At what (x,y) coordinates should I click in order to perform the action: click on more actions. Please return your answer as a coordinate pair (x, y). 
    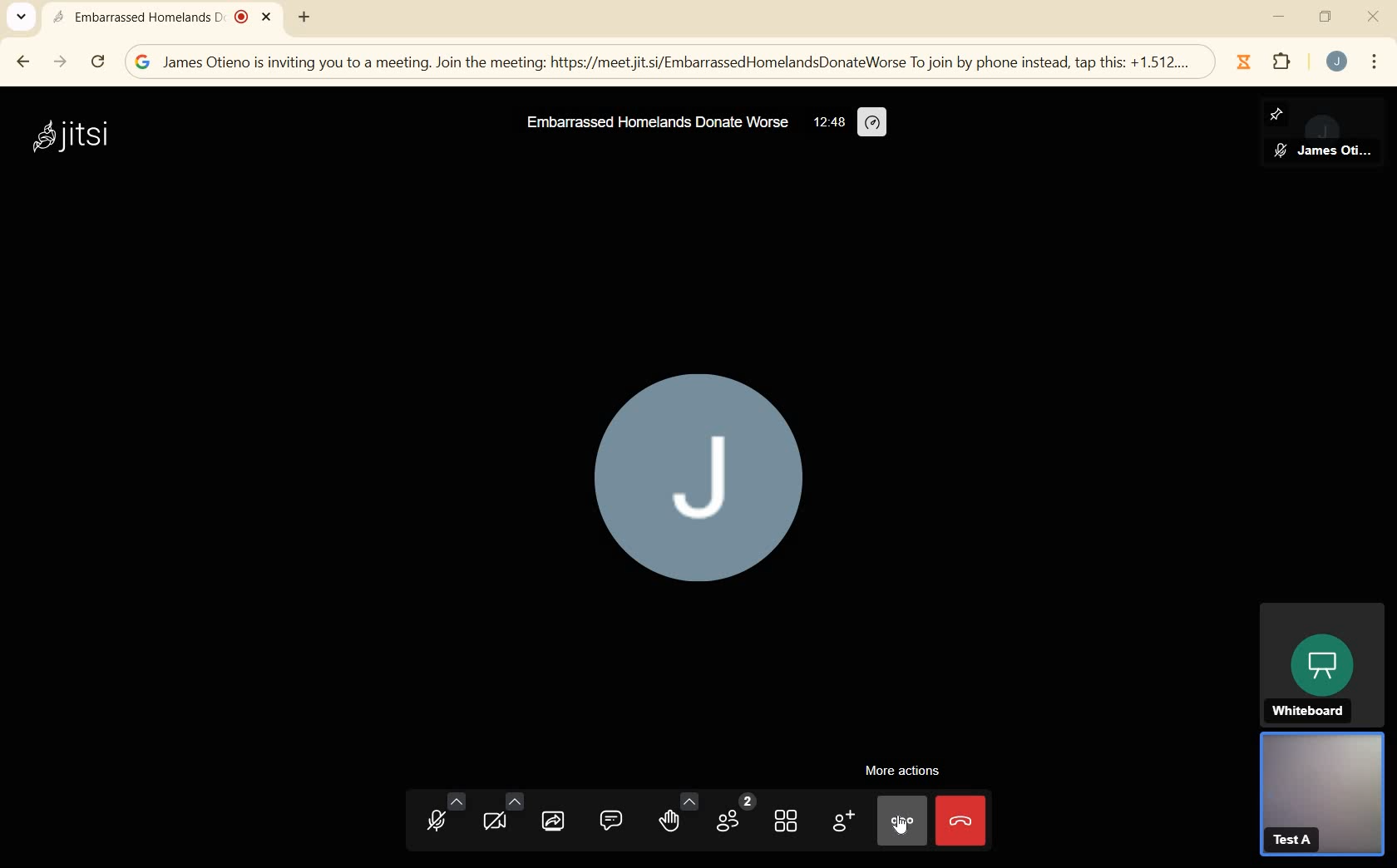
    Looking at the image, I should click on (902, 819).